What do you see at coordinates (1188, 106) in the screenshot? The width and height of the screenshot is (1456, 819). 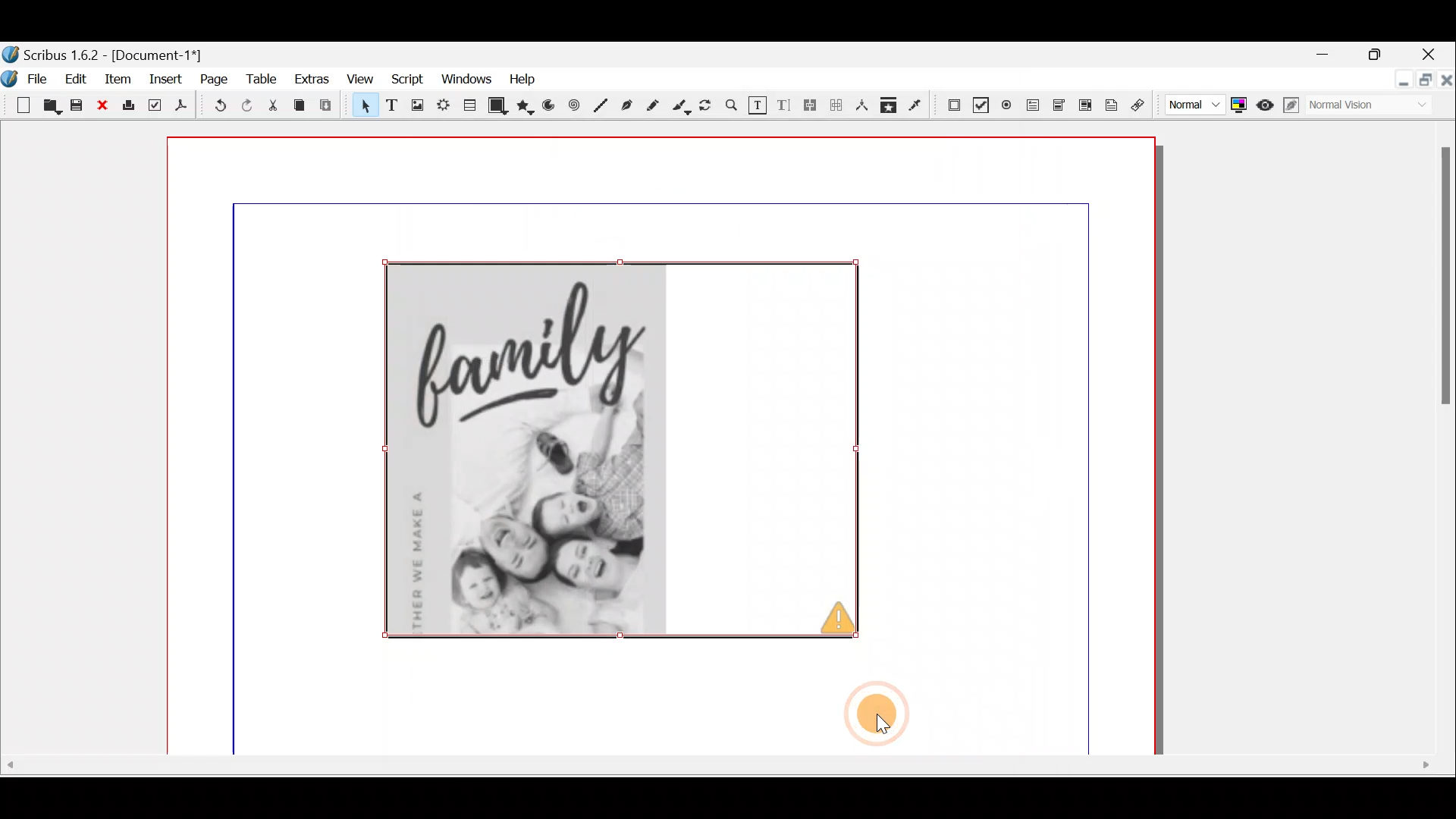 I see `Select image preview quality` at bounding box center [1188, 106].